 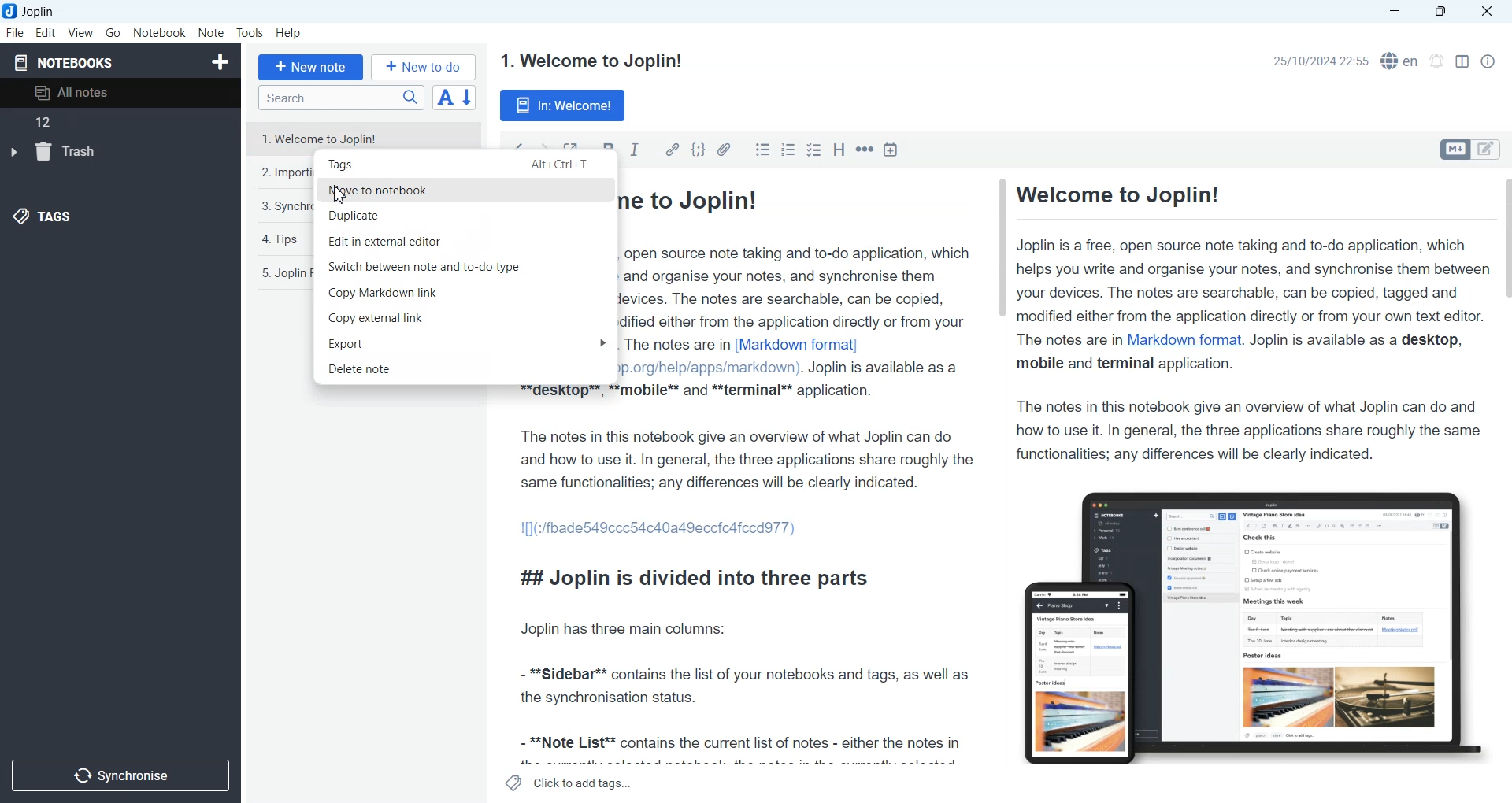 What do you see at coordinates (1247, 322) in the screenshot?
I see `Welcome to Joplin!

Joplin is a free, open source note taking and to-do application, which
helps you write and organise your notes, and synchronise them between
your devices. The notes are searchable, can be copied, tagged and
modified either from the application directly or from your own text editor.
The notes are in Markdown format. Joplin is available as a desktop,
mobile and terminal application.

The notes in this notebook give an overview of what Joplin can do and
how to use it. In general, the three applications share roughly the same
functionalities; any differences will be clearly indicated.` at bounding box center [1247, 322].